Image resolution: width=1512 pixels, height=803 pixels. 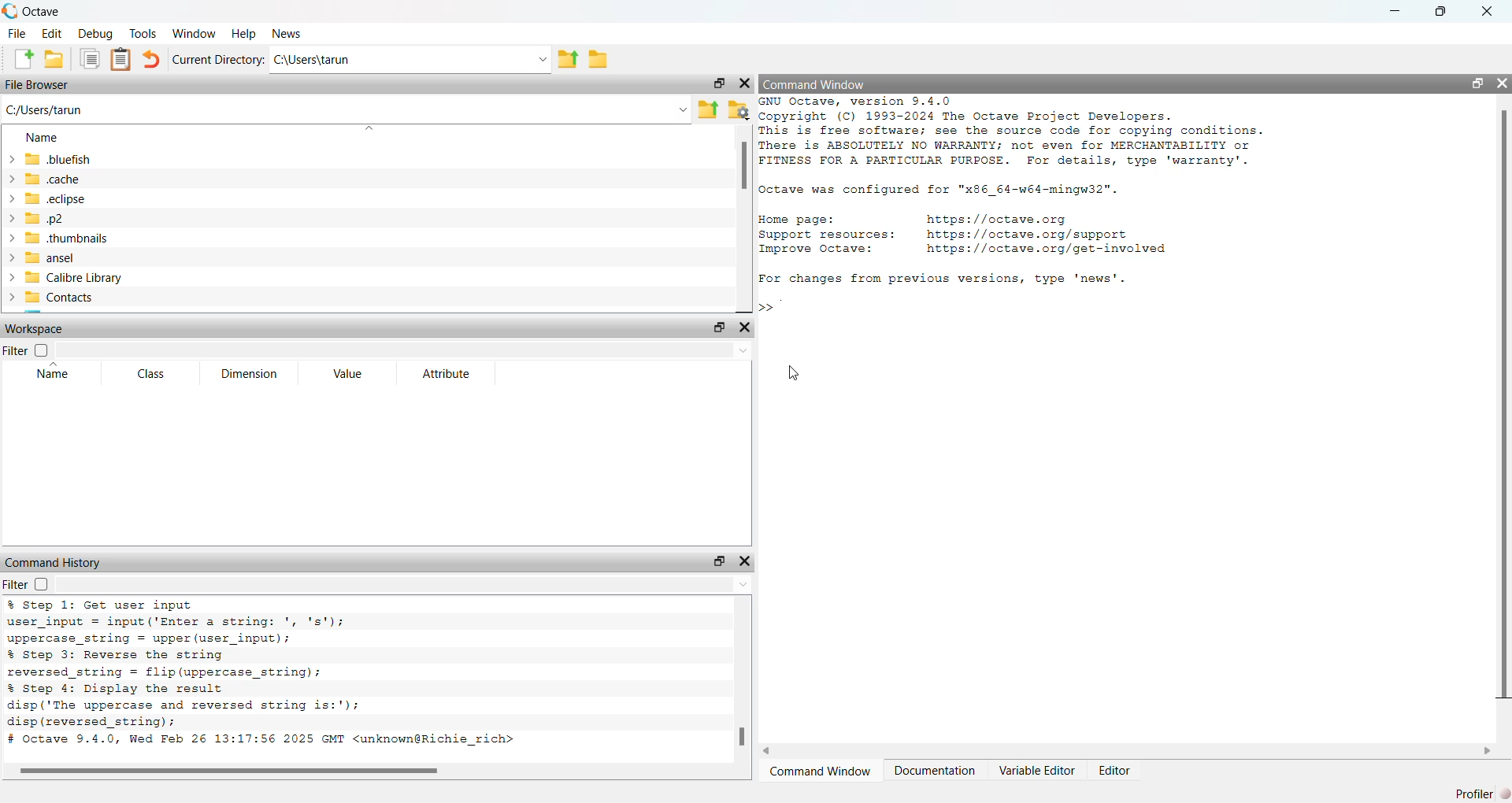 What do you see at coordinates (792, 371) in the screenshot?
I see `cursor` at bounding box center [792, 371].